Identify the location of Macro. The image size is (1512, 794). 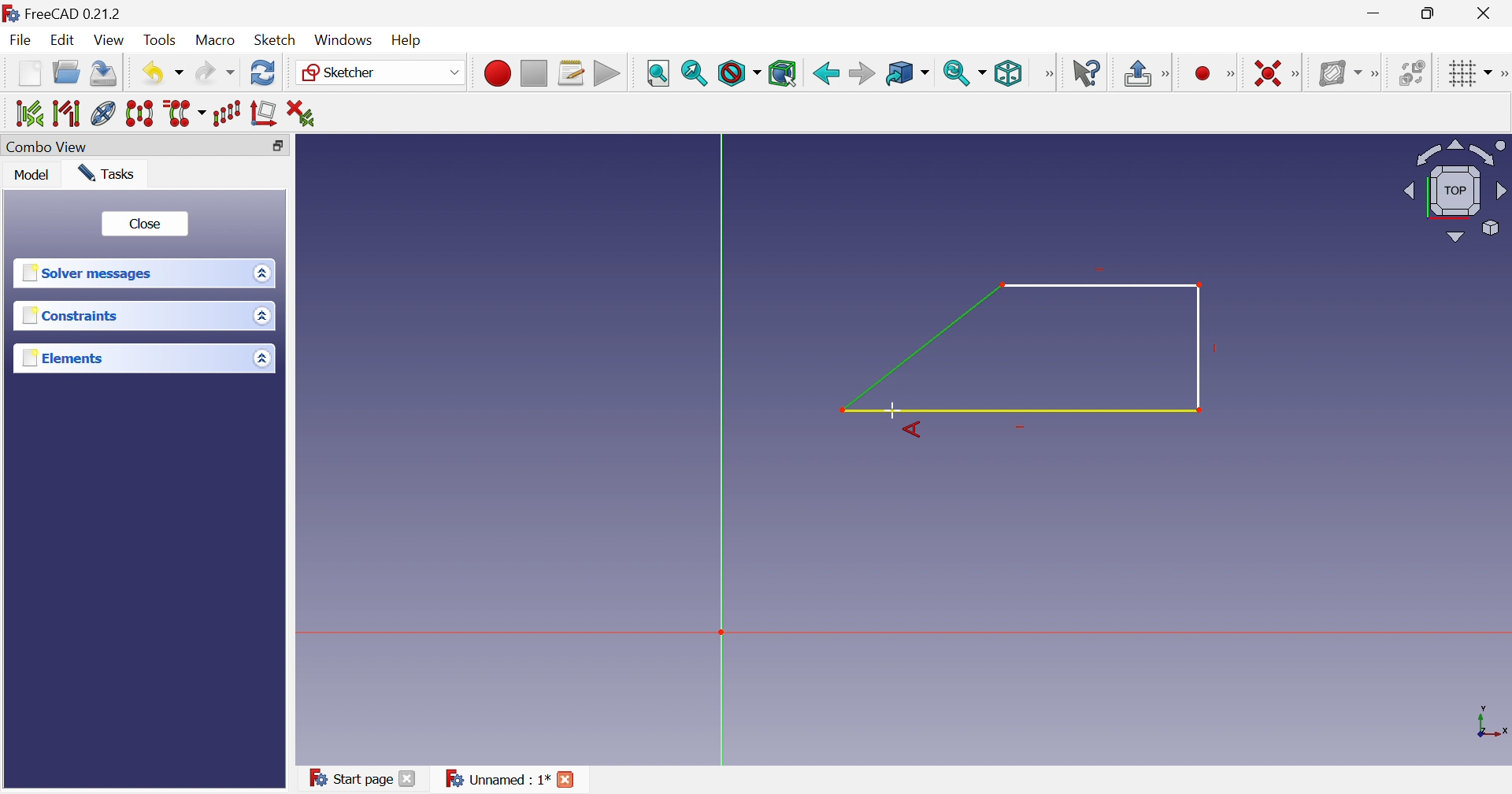
(216, 41).